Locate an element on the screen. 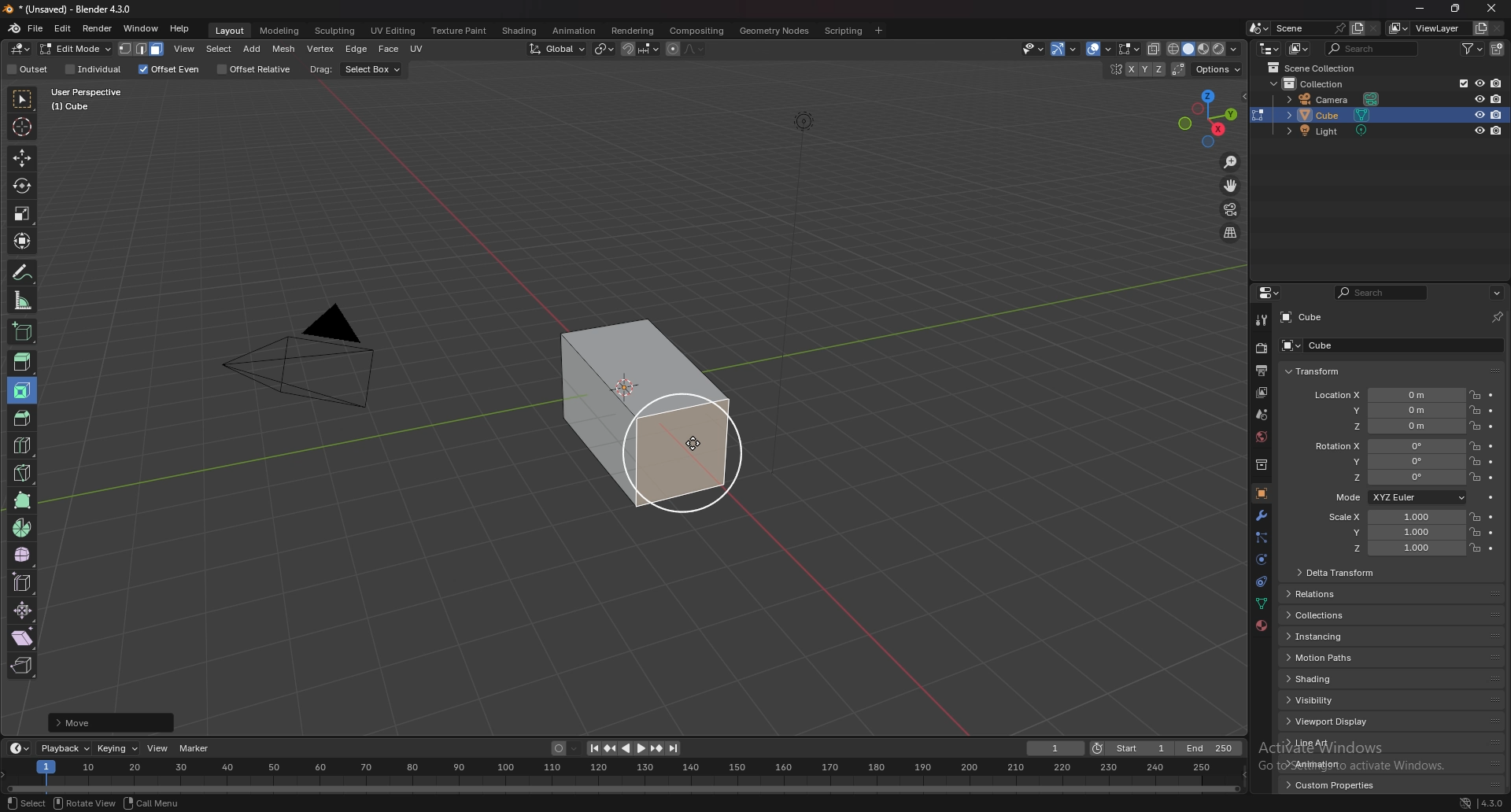  annotate is located at coordinates (24, 272).